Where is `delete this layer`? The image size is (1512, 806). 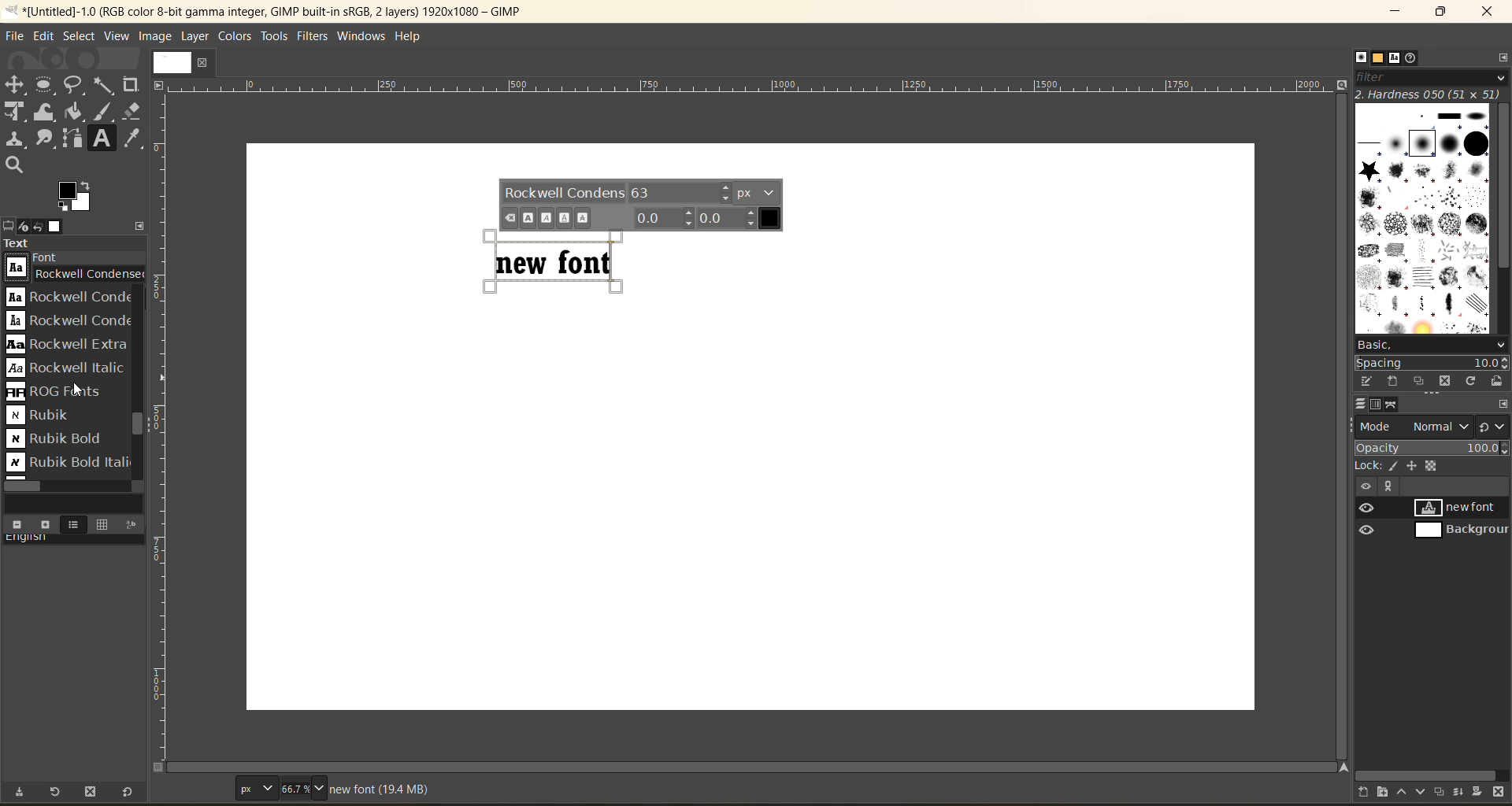 delete this layer is located at coordinates (1499, 793).